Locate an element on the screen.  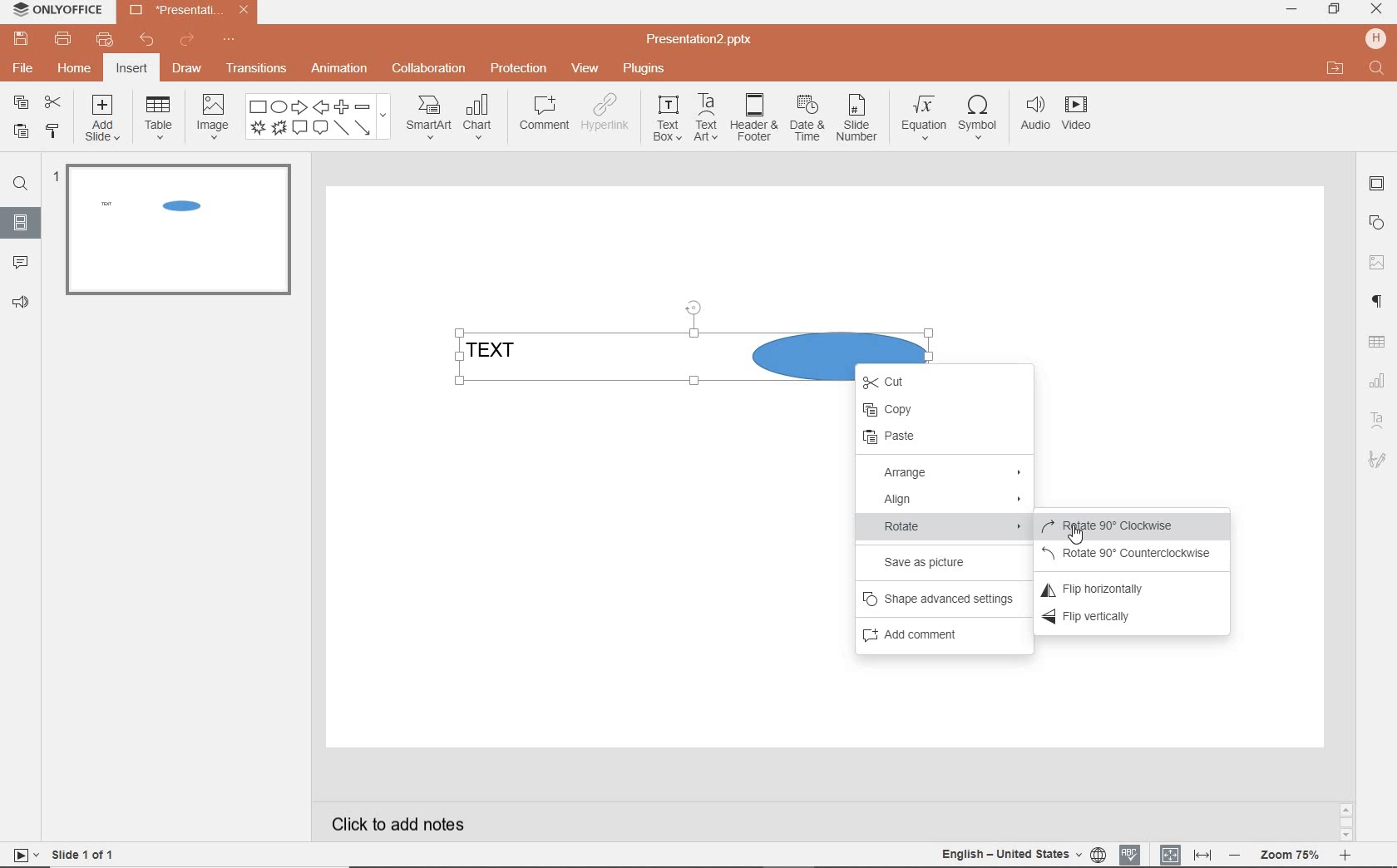
SLIDE SETTINGS is located at coordinates (1377, 185).